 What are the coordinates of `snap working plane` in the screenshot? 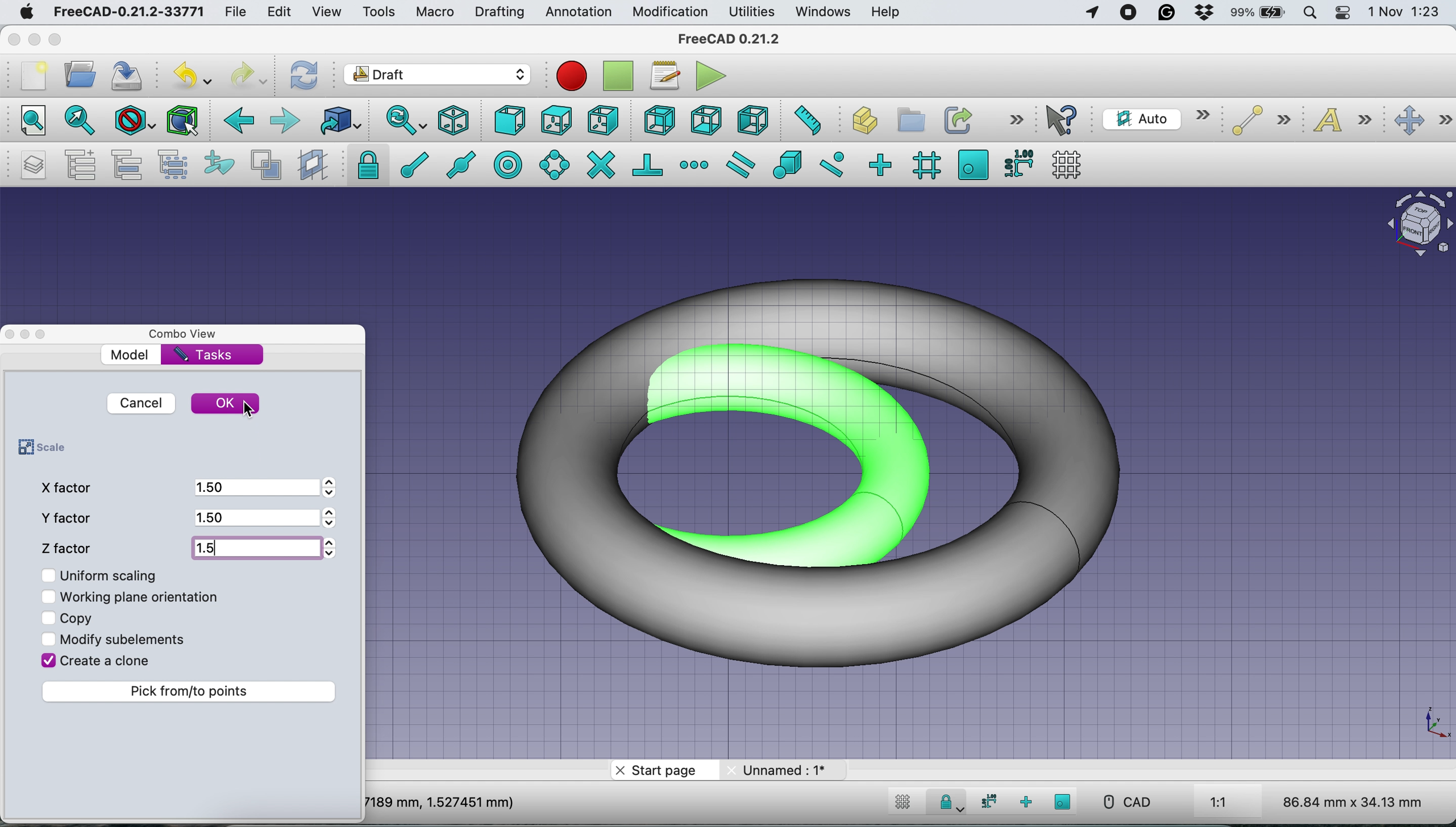 It's located at (1063, 801).